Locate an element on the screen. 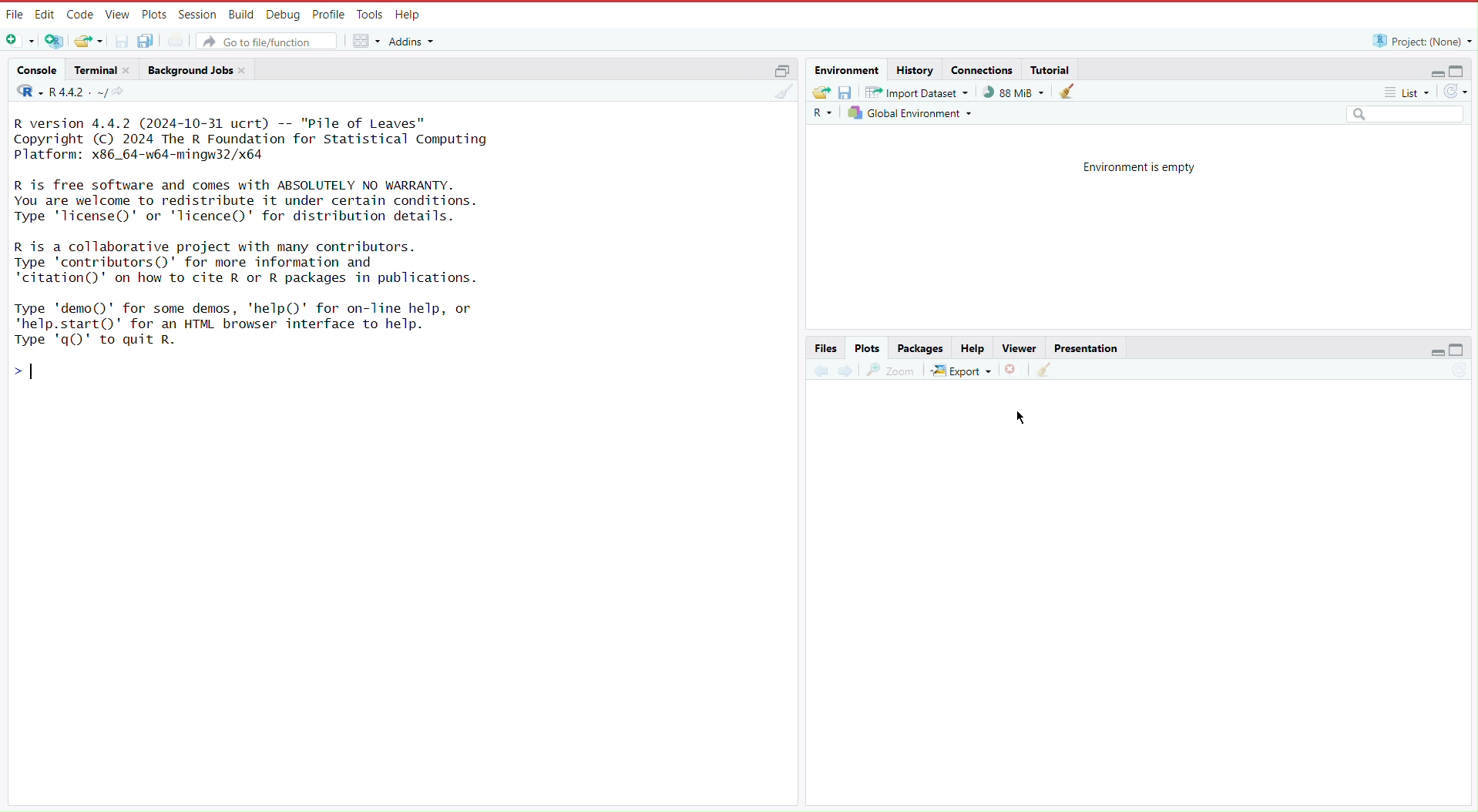 The image size is (1478, 812).  is located at coordinates (1404, 116).